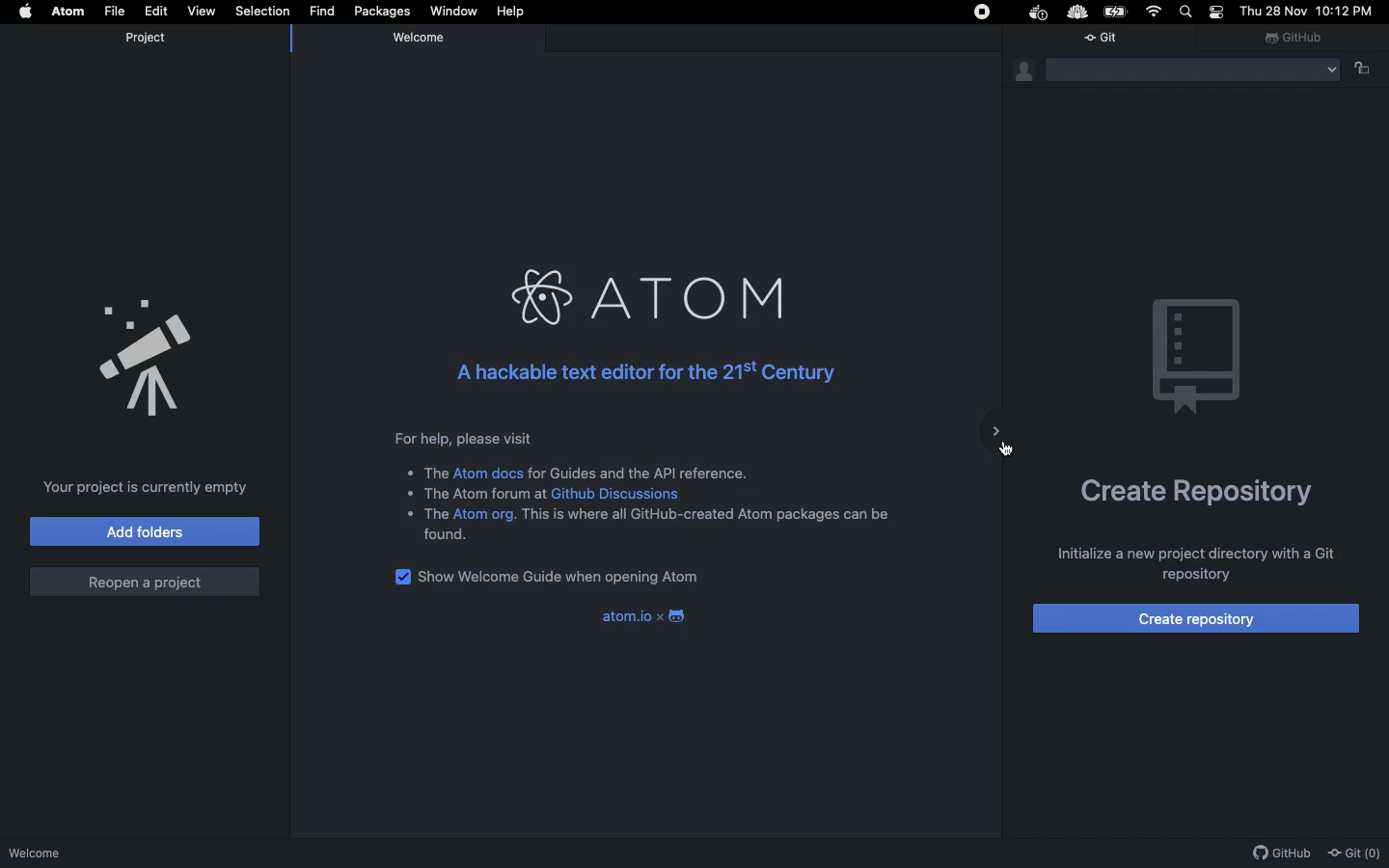 This screenshot has width=1389, height=868. I want to click on Show welcome guide when opening Atom, so click(562, 578).